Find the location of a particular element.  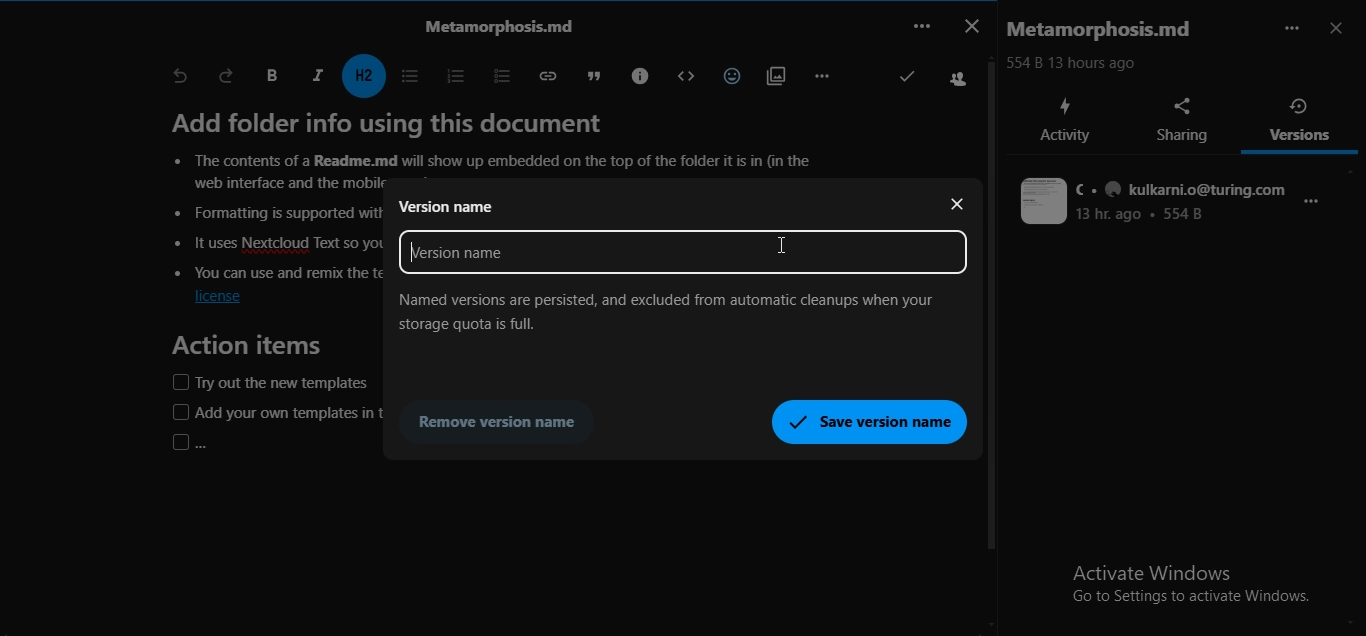

bold is located at coordinates (271, 76).